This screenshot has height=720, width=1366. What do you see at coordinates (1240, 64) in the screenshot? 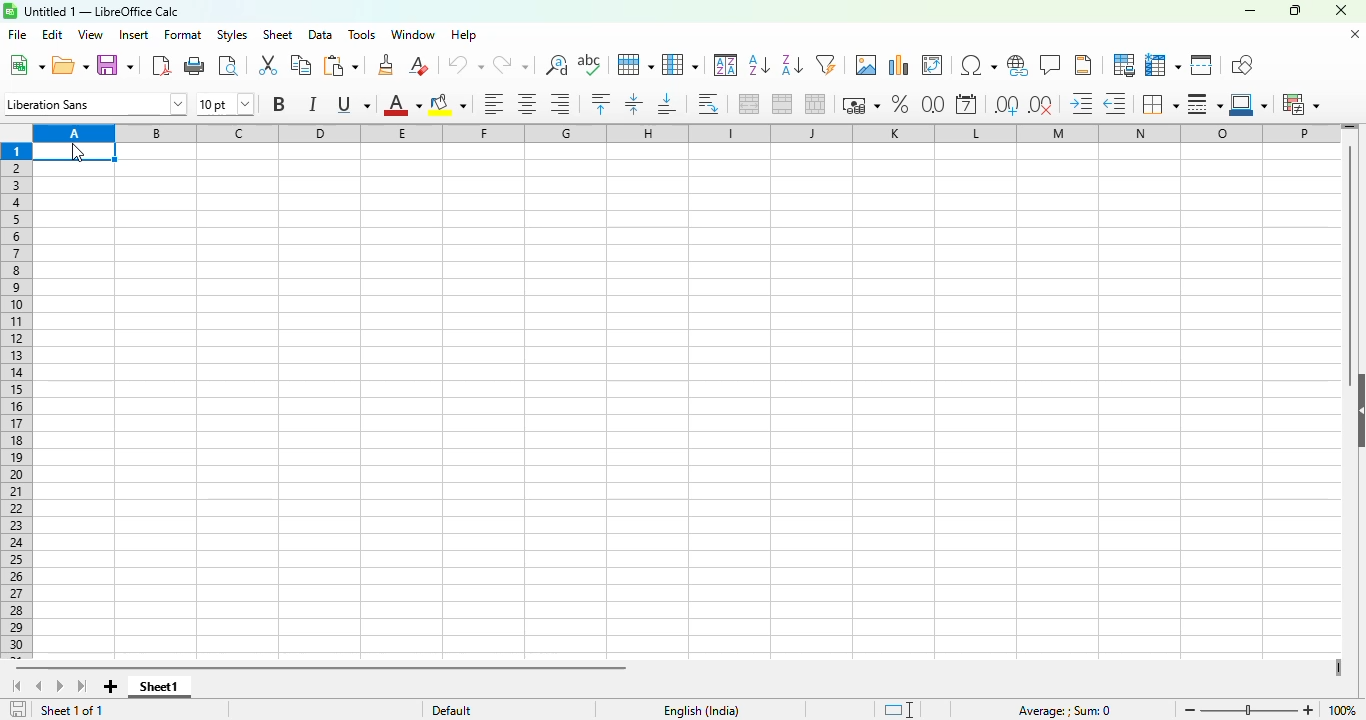
I see `show draw functions` at bounding box center [1240, 64].